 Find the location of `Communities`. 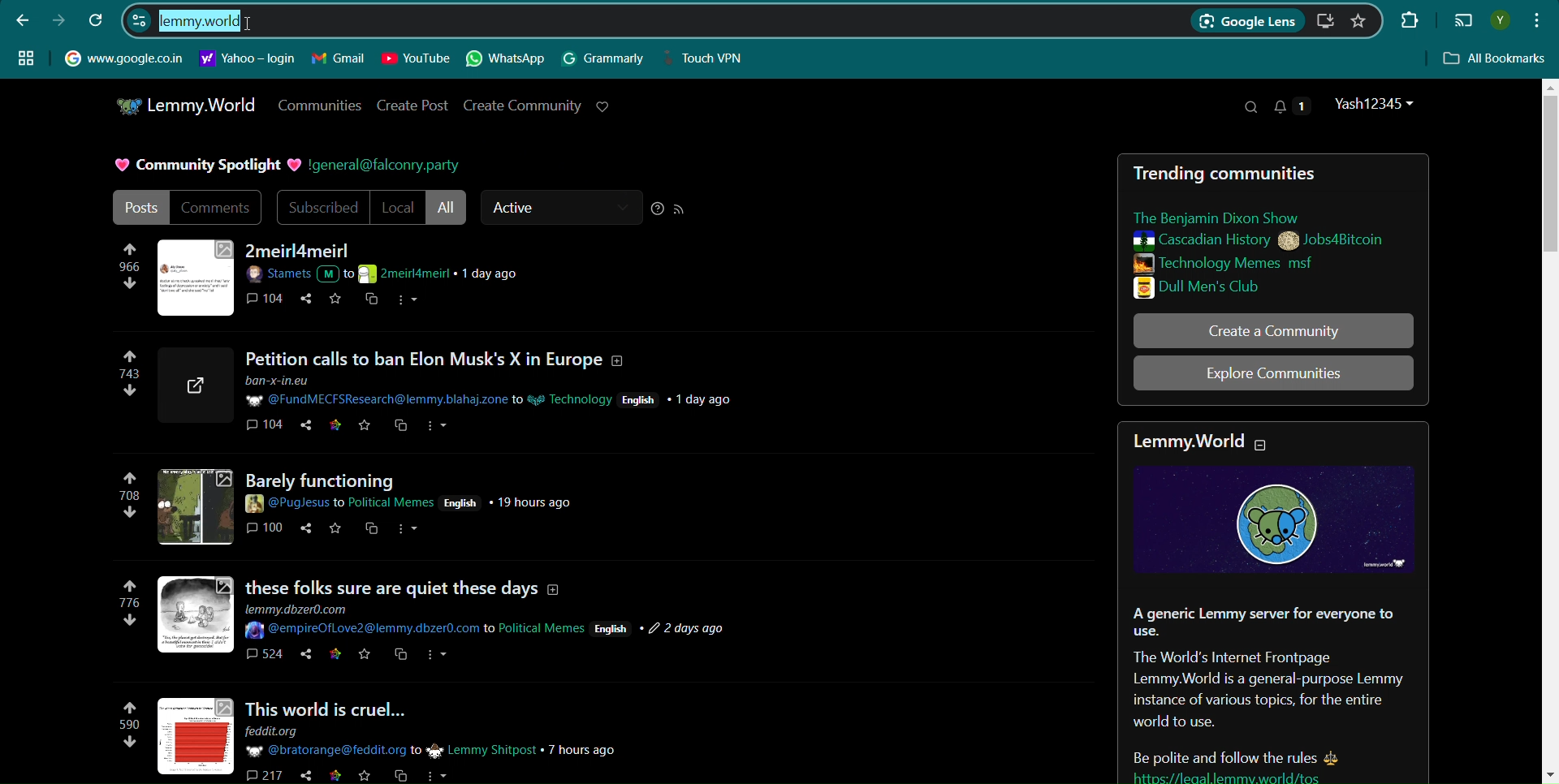

Communities is located at coordinates (318, 105).